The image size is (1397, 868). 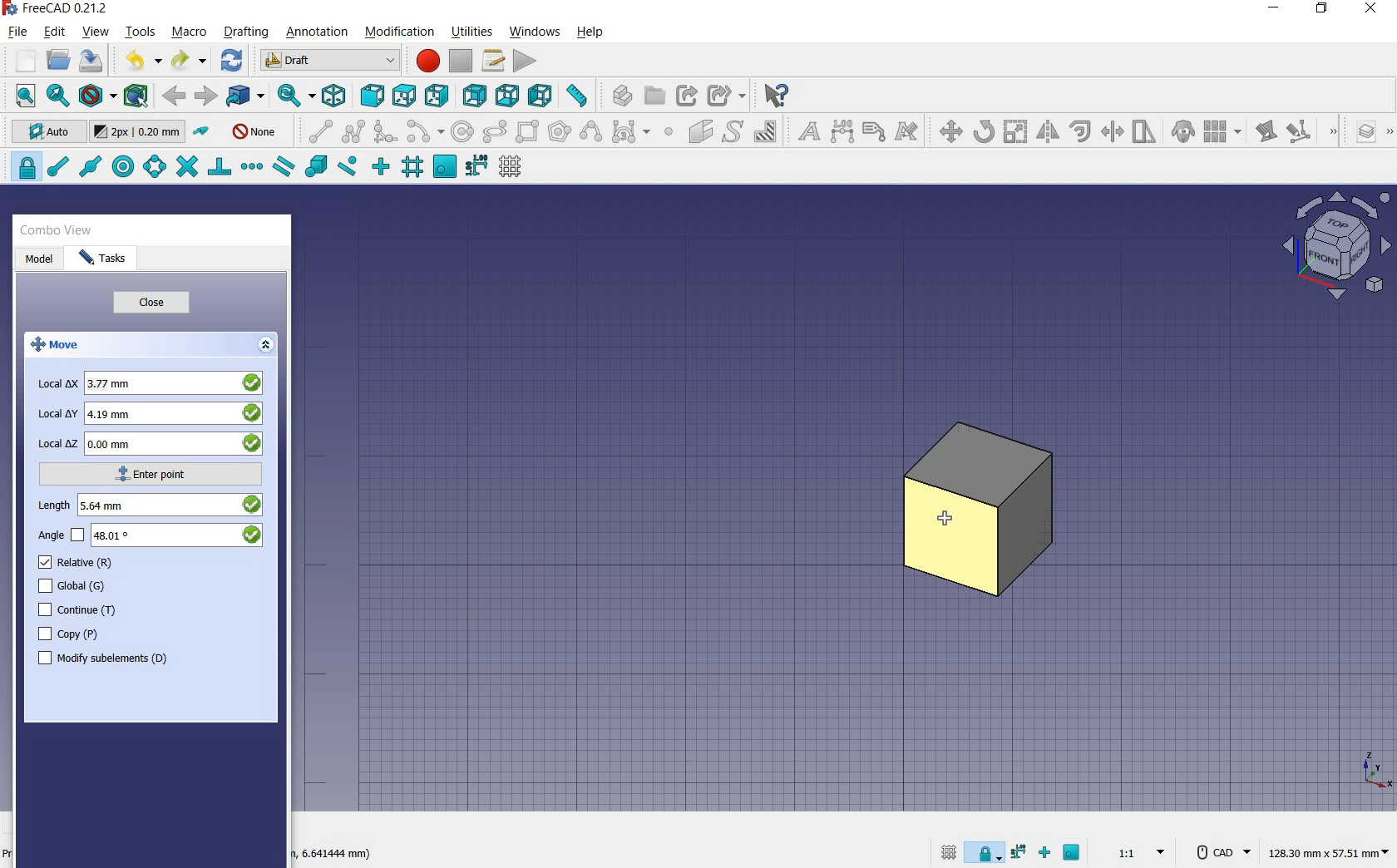 I want to click on forward, so click(x=205, y=96).